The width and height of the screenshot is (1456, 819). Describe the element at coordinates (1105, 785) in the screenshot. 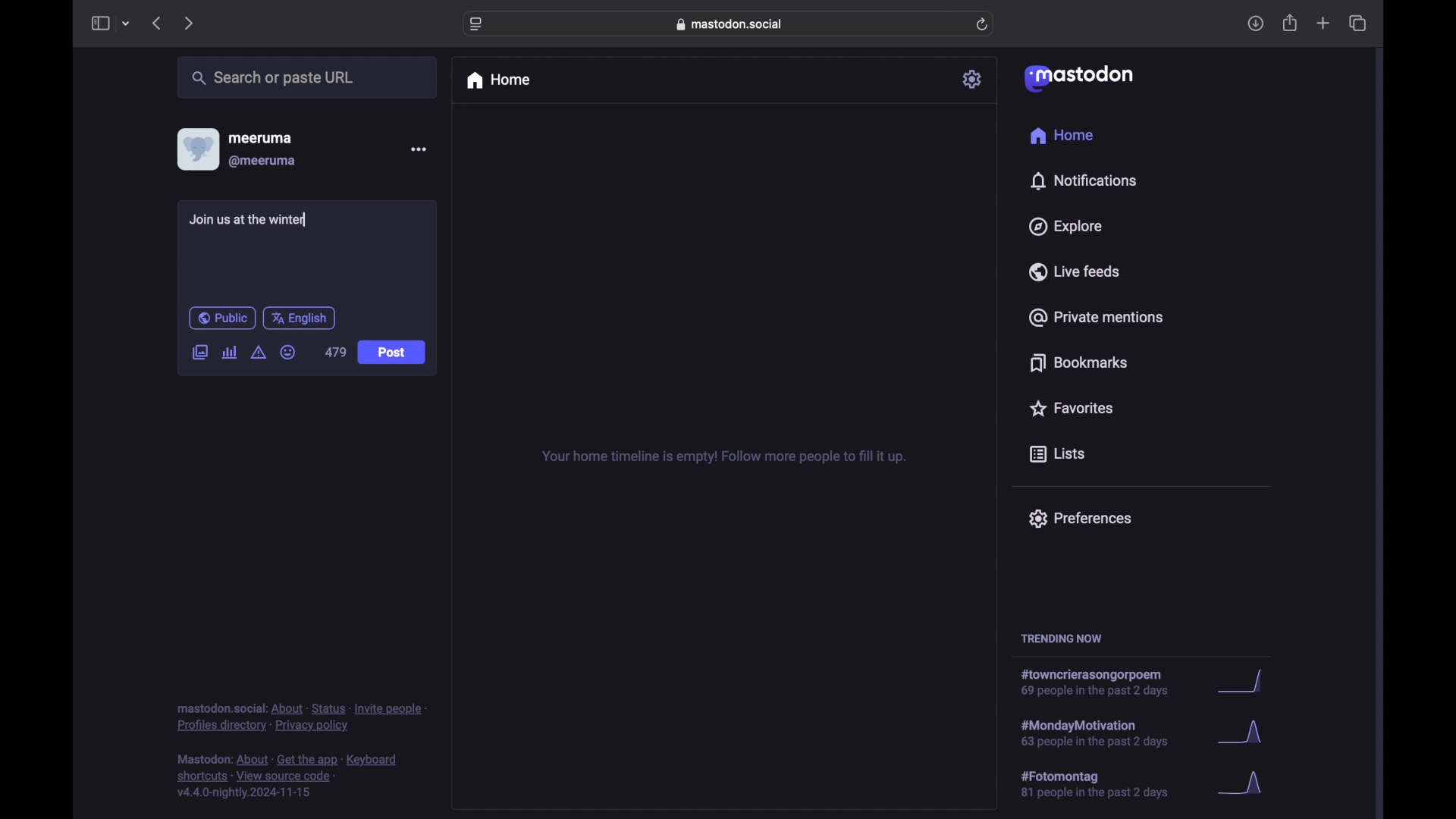

I see `hashtag trend` at that location.